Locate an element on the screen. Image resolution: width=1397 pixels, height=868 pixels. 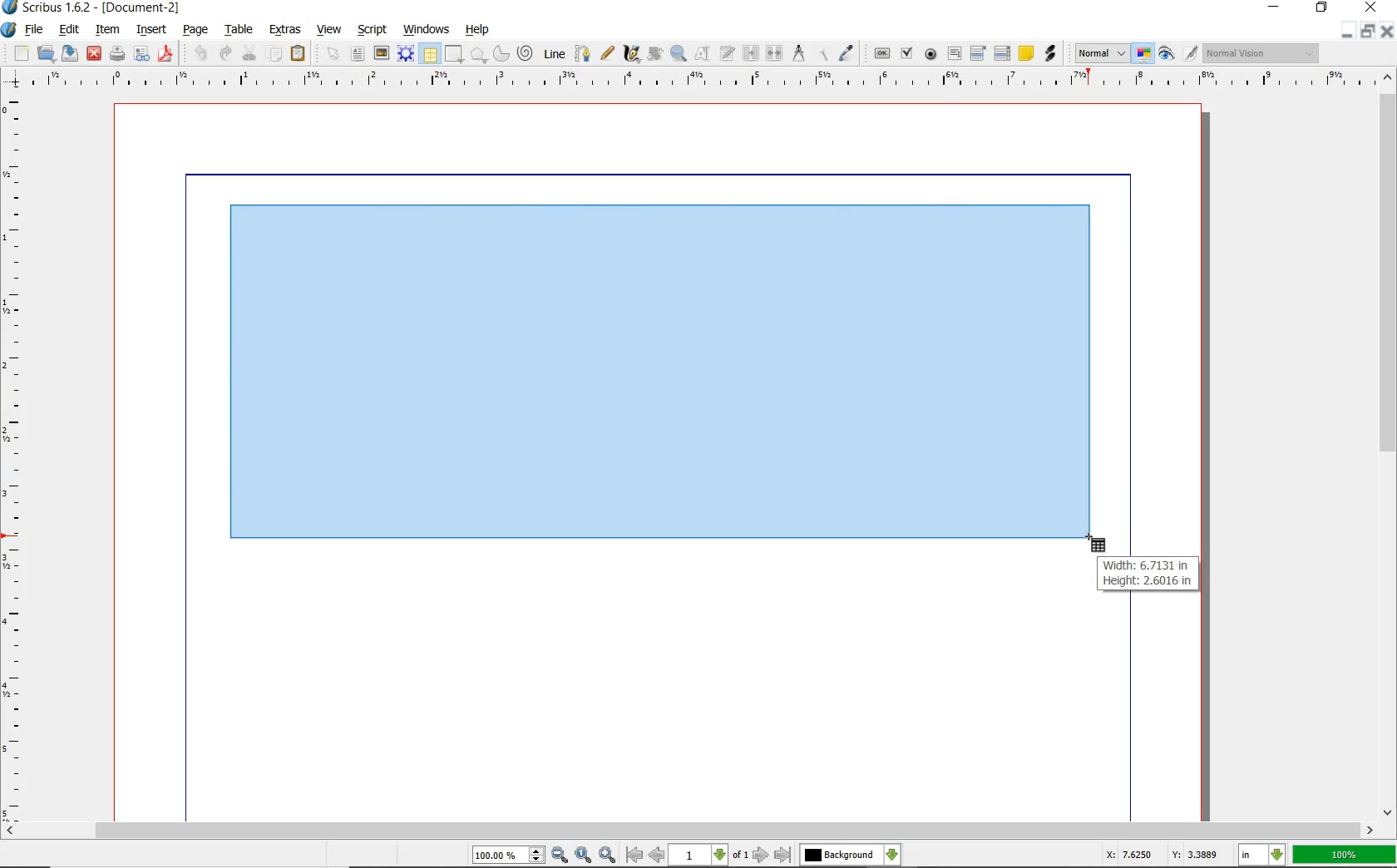
link text frame is located at coordinates (749, 54).